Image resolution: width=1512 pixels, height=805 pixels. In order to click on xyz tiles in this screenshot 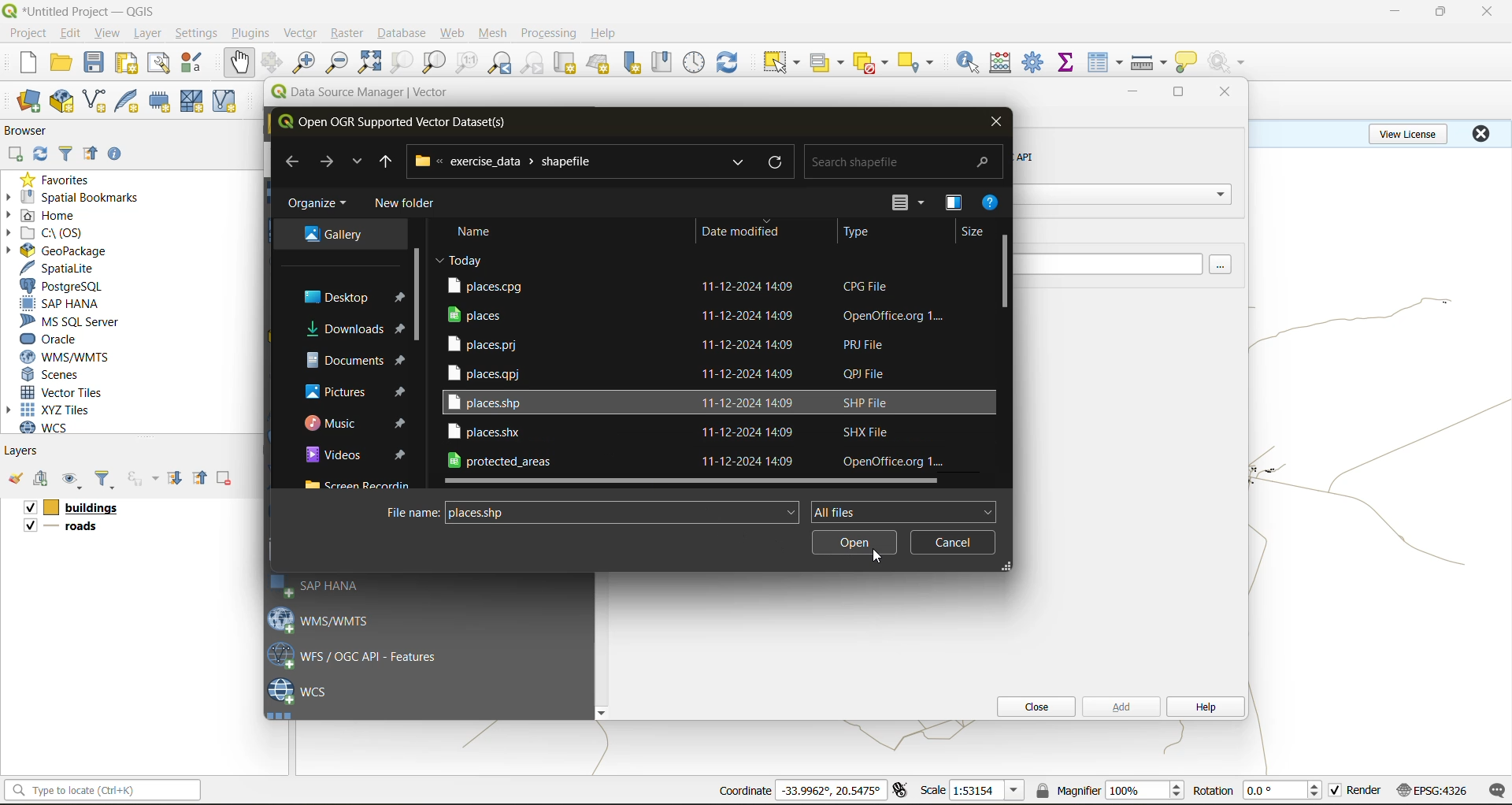, I will do `click(57, 410)`.